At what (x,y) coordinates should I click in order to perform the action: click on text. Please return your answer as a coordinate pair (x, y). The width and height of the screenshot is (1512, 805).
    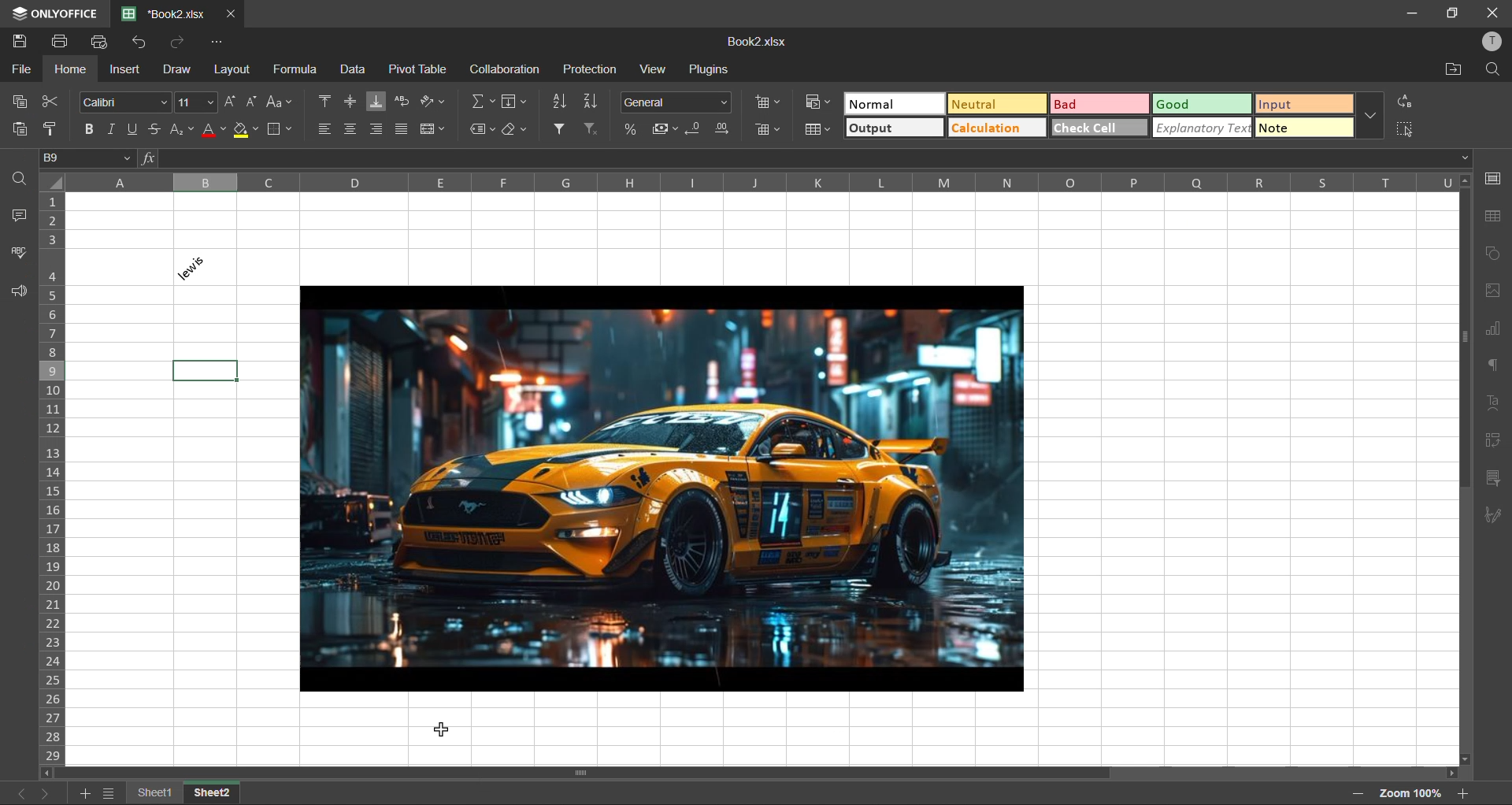
    Looking at the image, I should click on (1493, 403).